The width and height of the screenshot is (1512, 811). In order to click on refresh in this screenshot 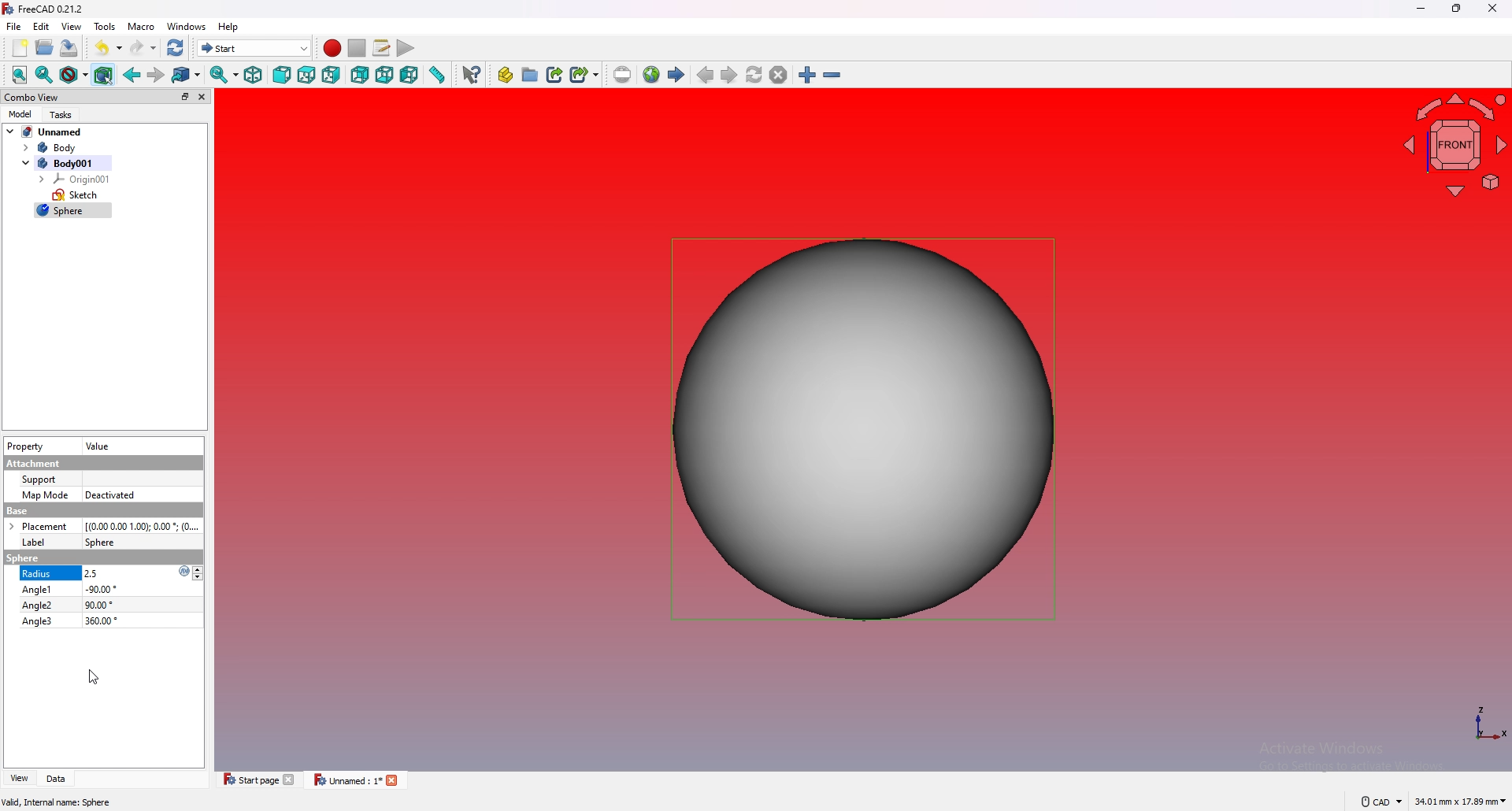, I will do `click(176, 47)`.